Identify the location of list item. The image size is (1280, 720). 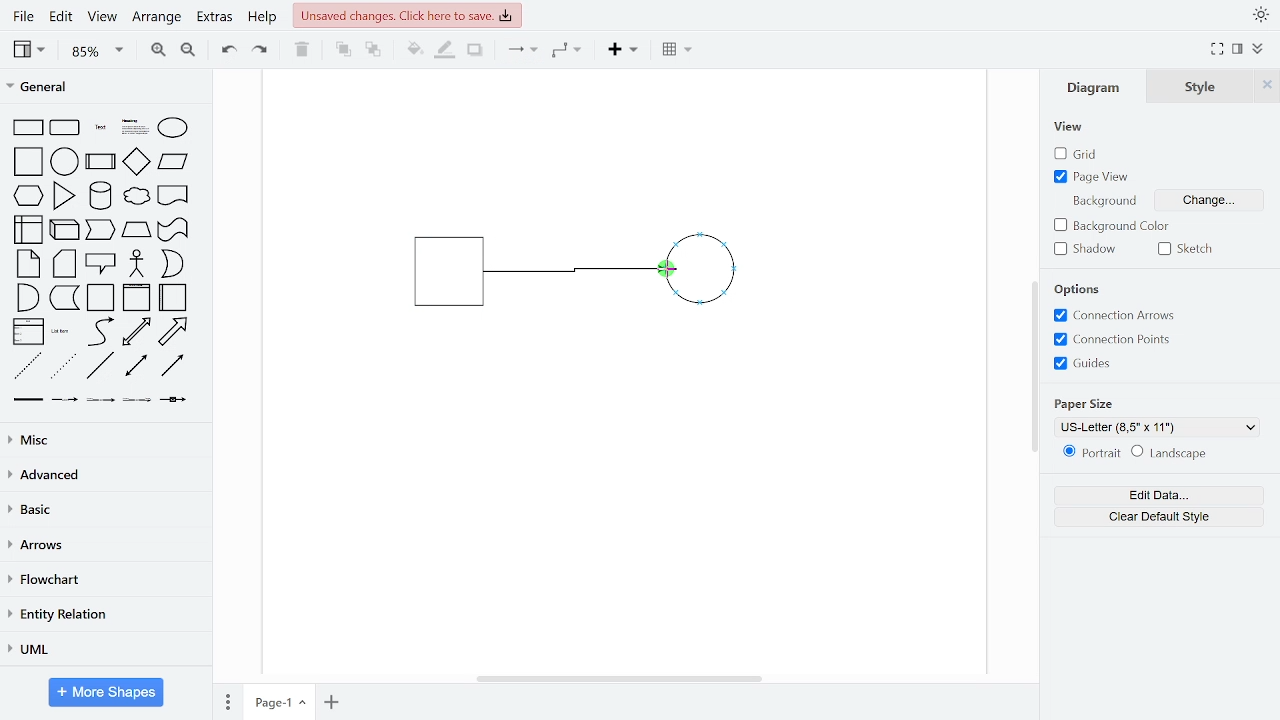
(61, 331).